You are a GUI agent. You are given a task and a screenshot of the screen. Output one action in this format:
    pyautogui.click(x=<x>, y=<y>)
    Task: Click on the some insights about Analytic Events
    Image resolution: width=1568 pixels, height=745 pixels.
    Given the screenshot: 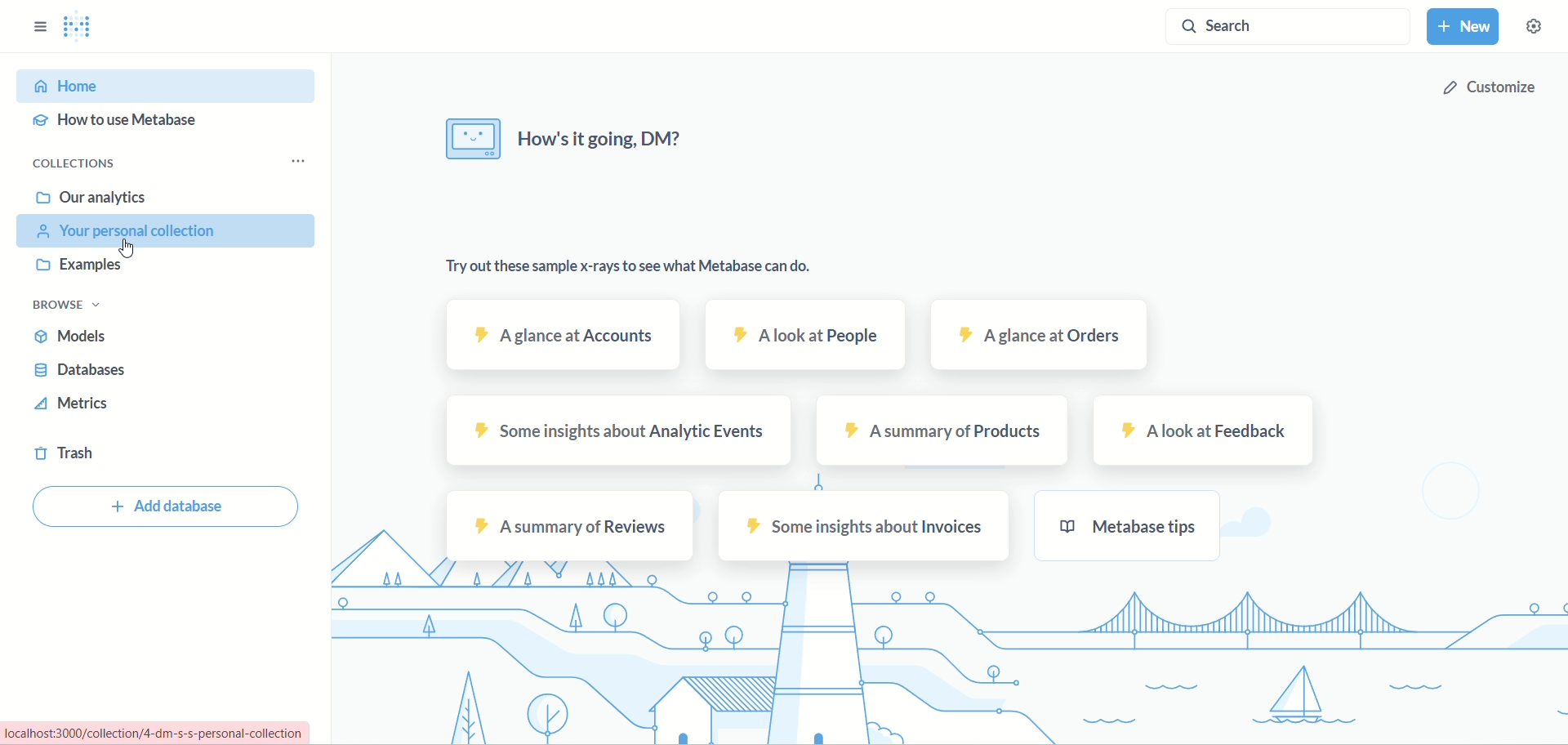 What is the action you would take?
    pyautogui.click(x=625, y=433)
    